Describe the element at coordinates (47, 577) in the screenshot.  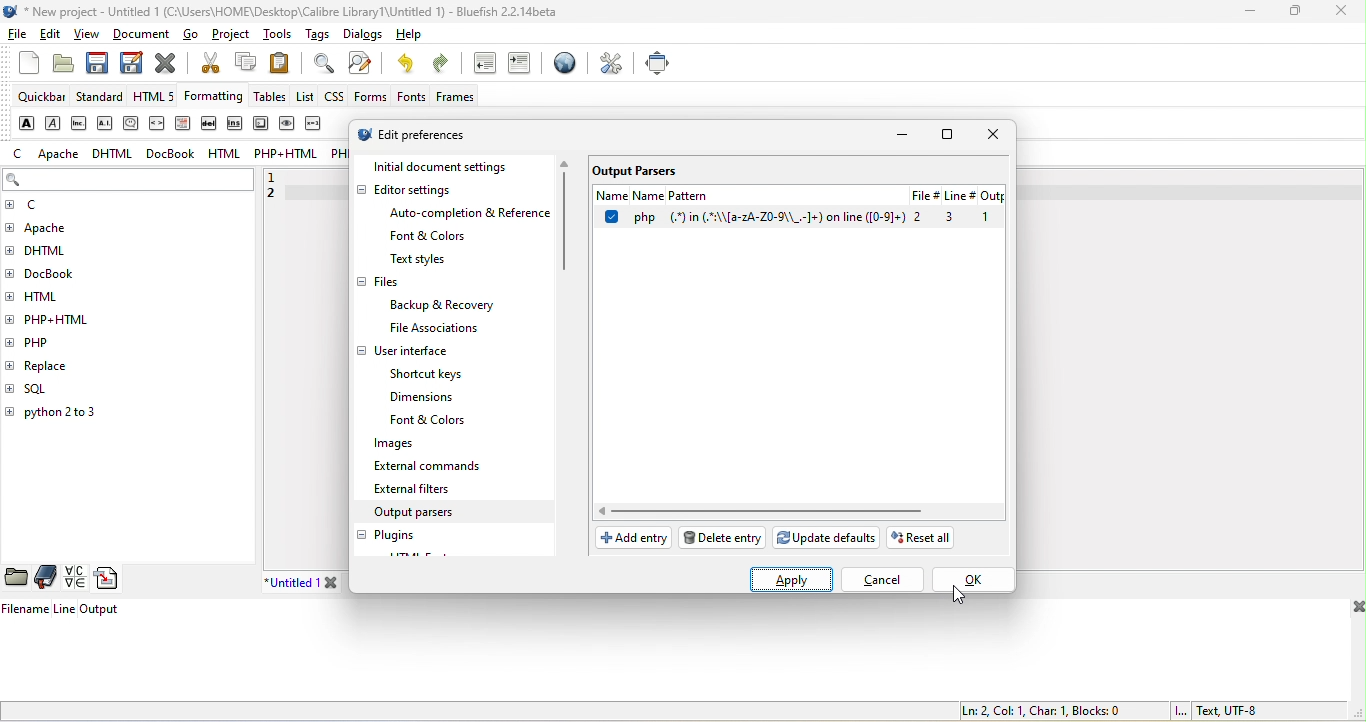
I see `bookmarks` at that location.